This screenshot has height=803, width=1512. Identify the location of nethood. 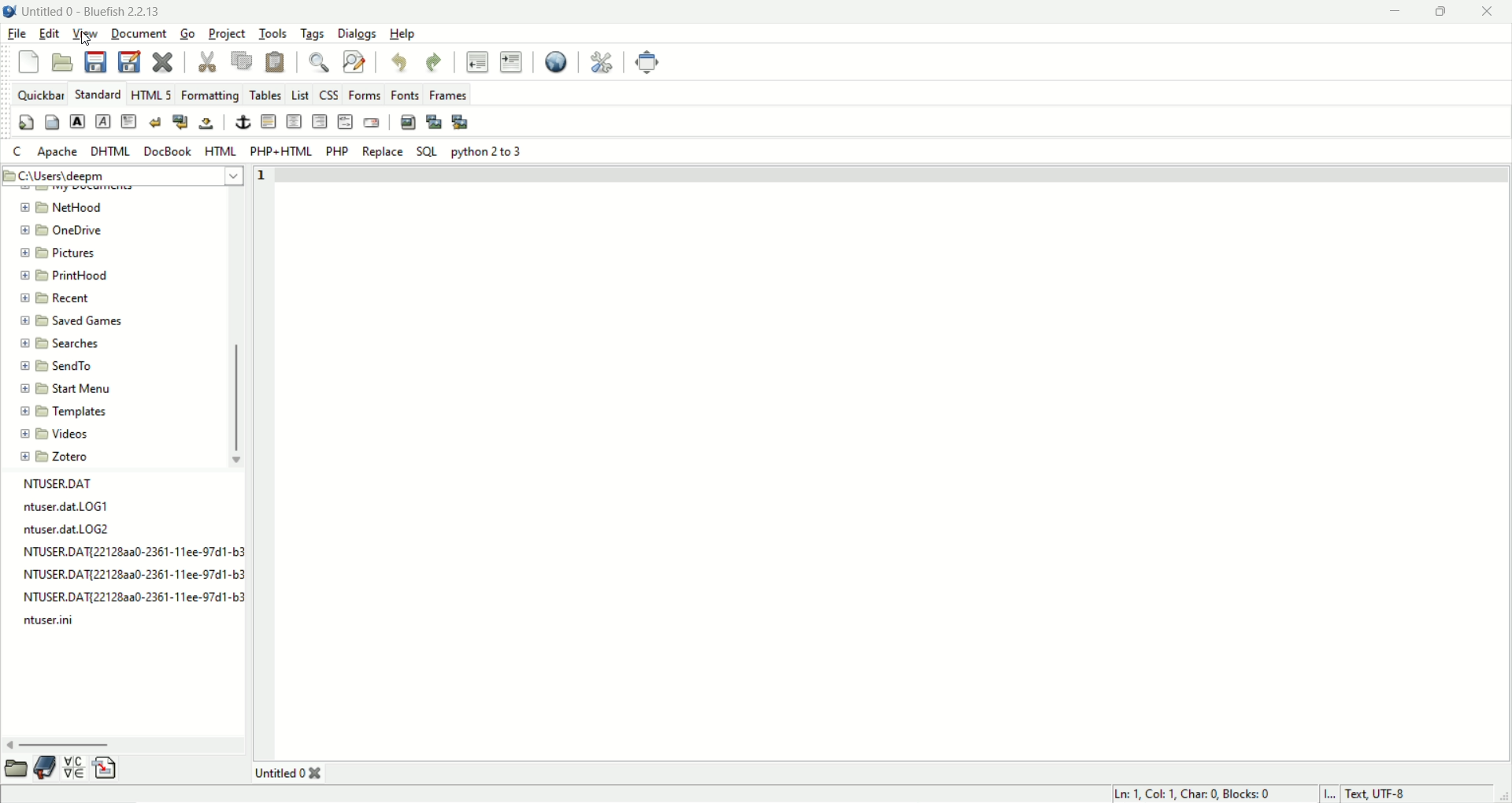
(61, 207).